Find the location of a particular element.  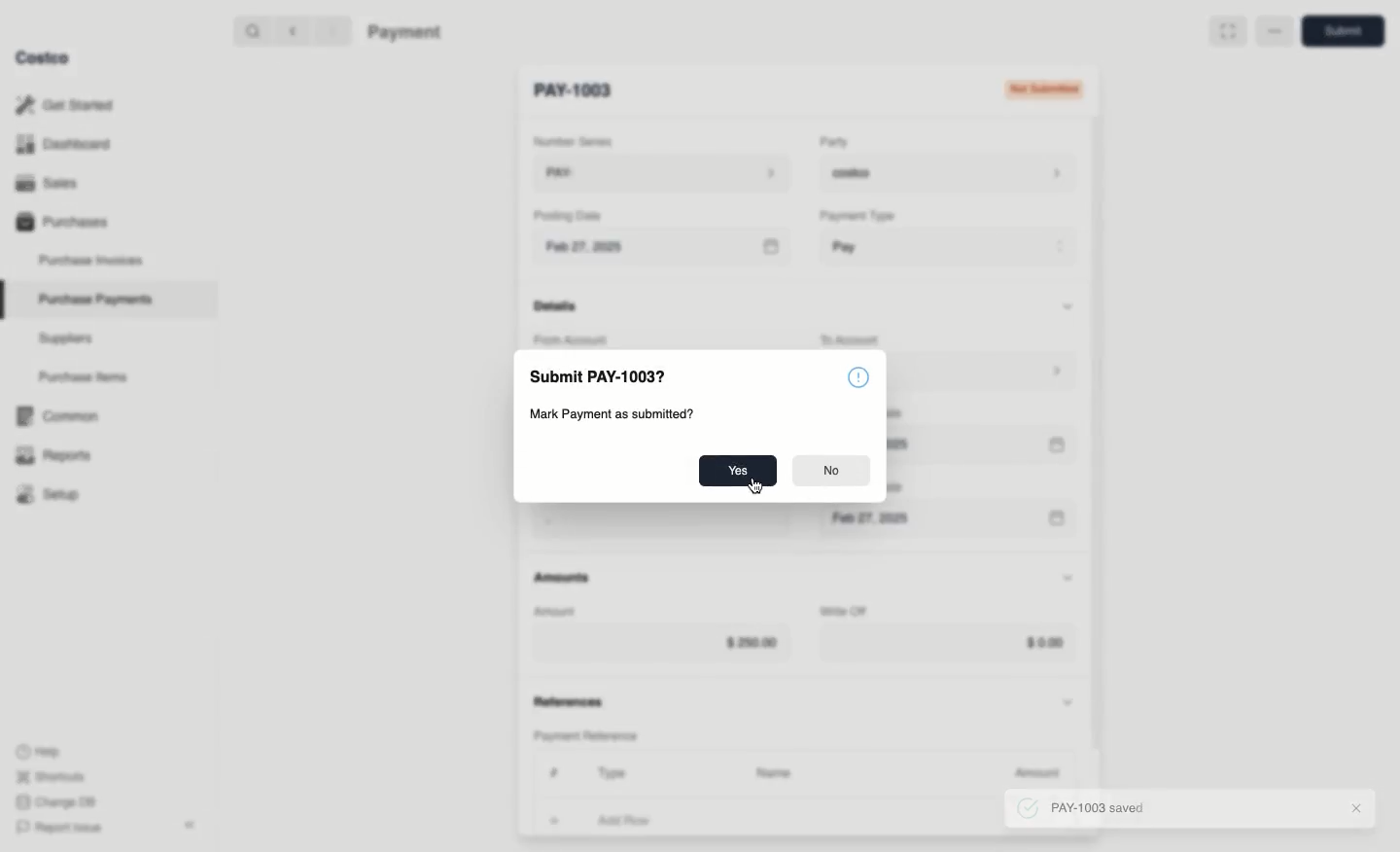

Close is located at coordinates (1354, 808).